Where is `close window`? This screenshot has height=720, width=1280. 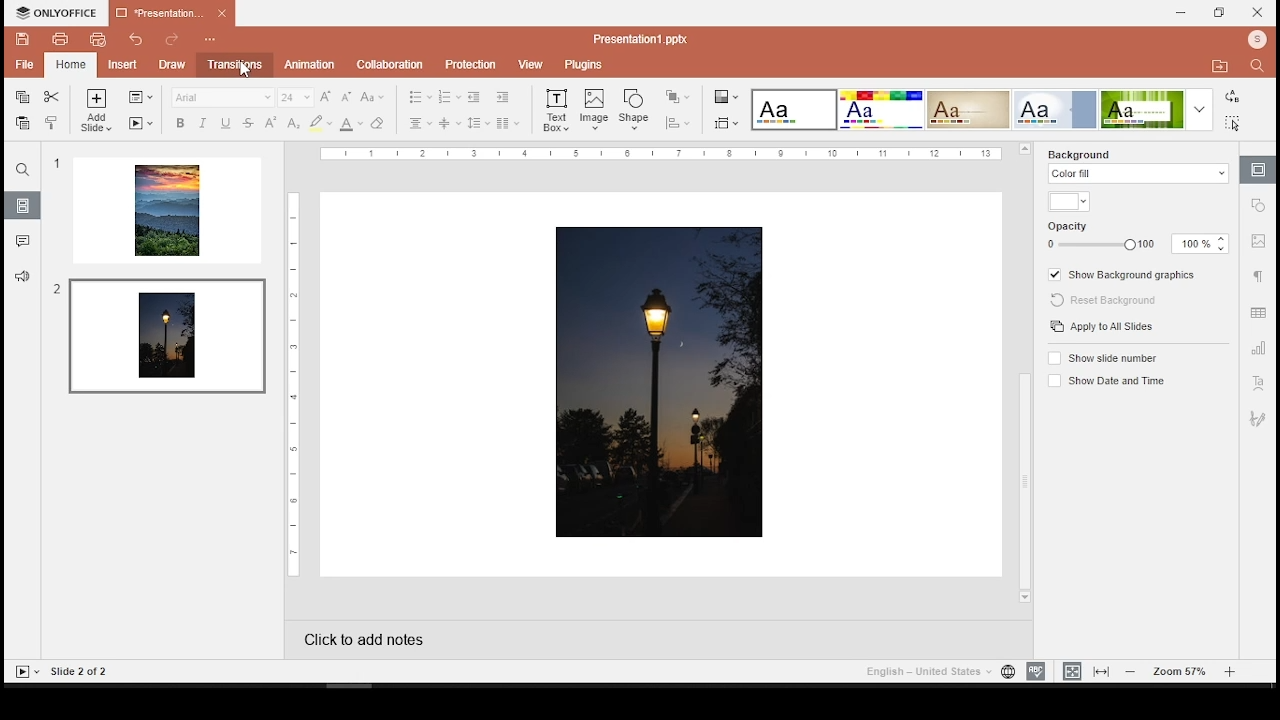
close window is located at coordinates (1260, 13).